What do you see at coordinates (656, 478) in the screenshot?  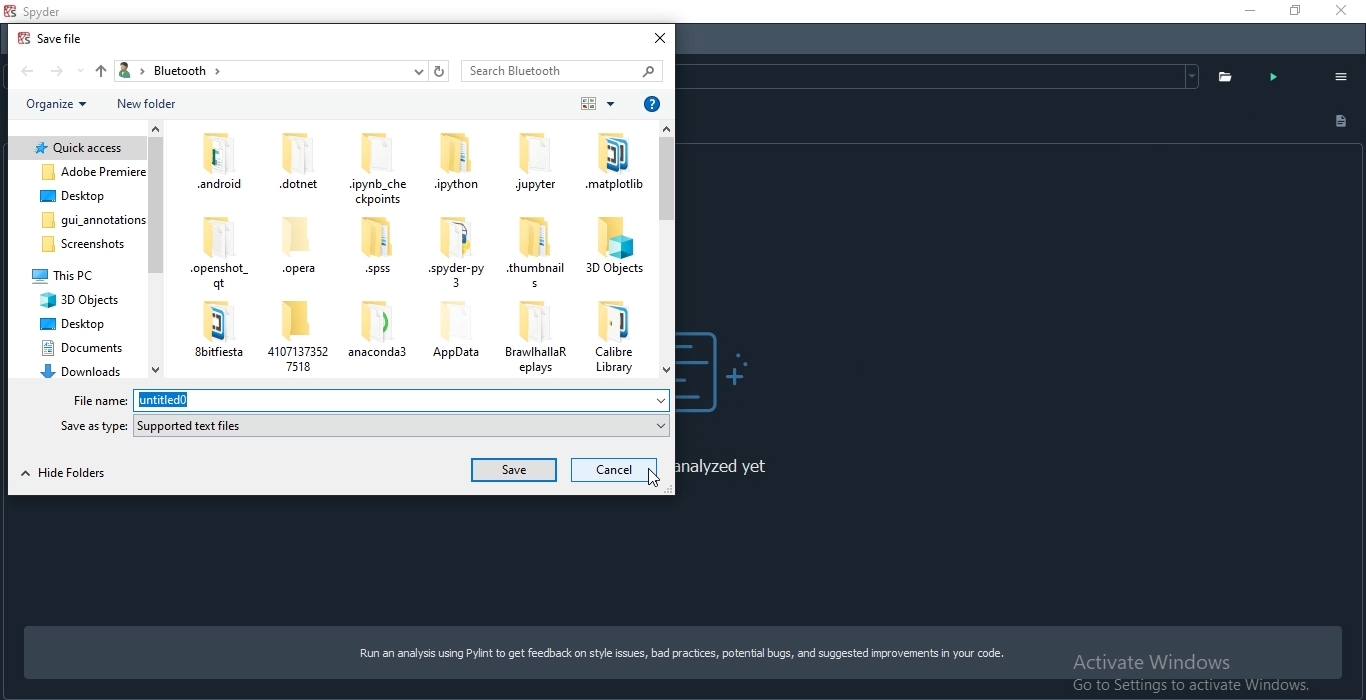 I see `cursor on cancel` at bounding box center [656, 478].